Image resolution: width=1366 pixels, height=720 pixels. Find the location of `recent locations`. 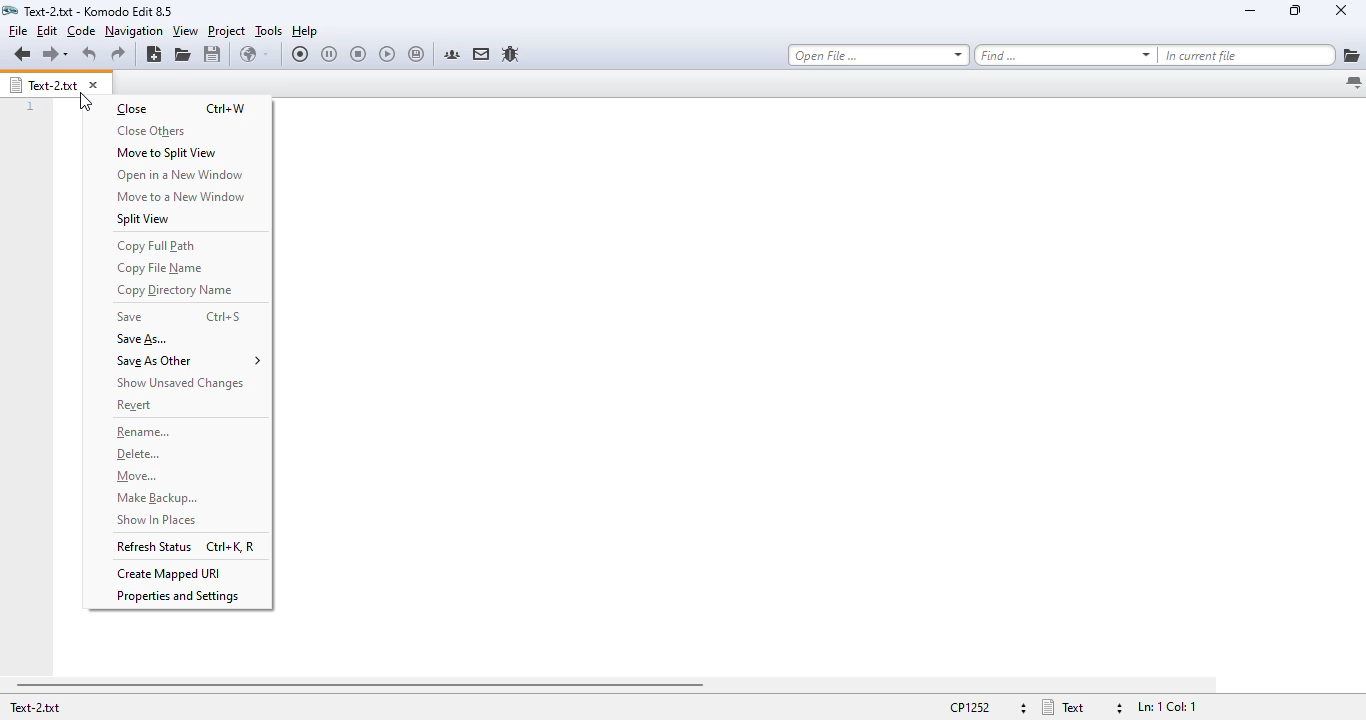

recent locations is located at coordinates (67, 55).